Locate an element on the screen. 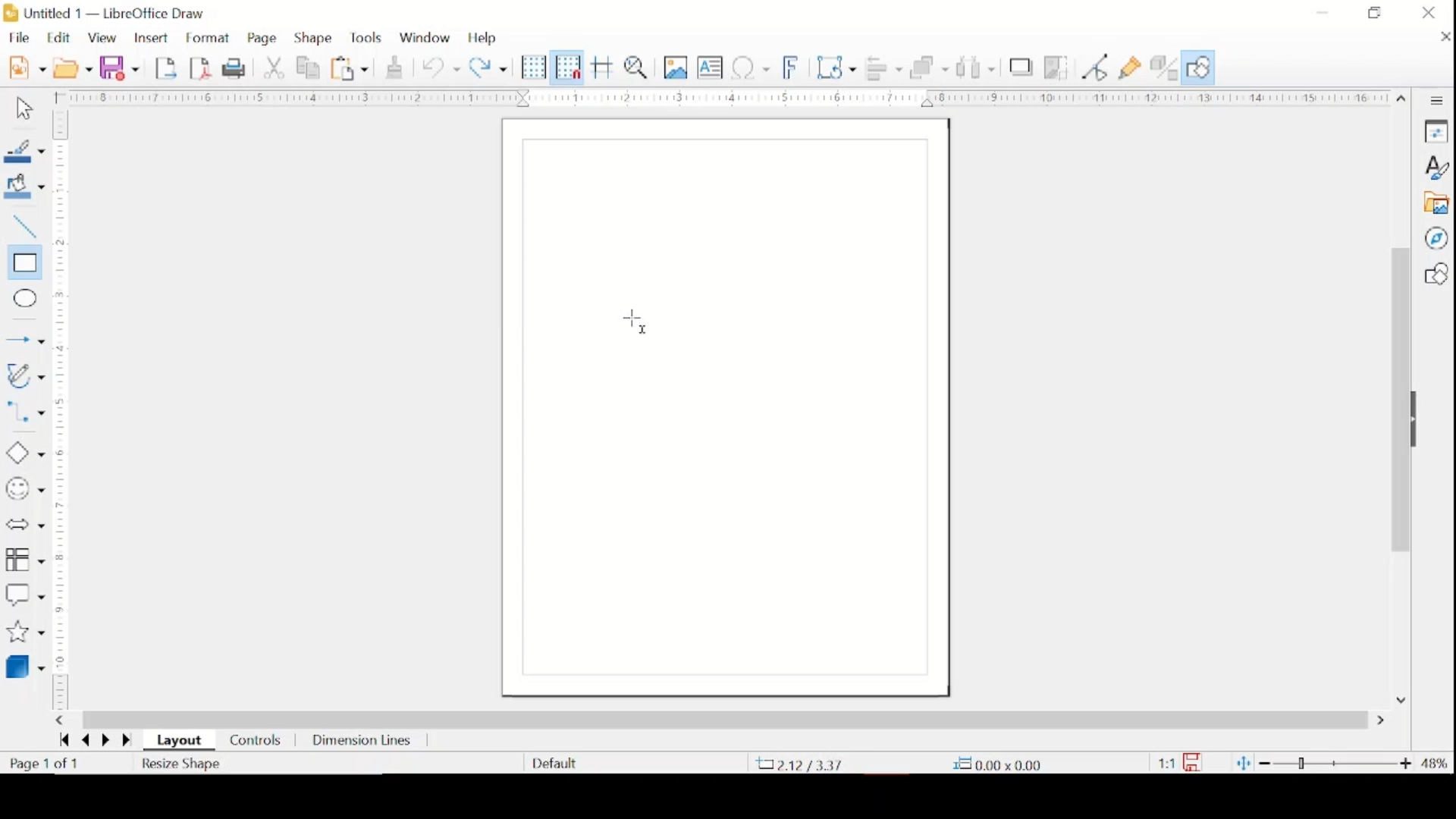 This screenshot has height=819, width=1456. untitled 1 - libreoffice draw is located at coordinates (107, 14).